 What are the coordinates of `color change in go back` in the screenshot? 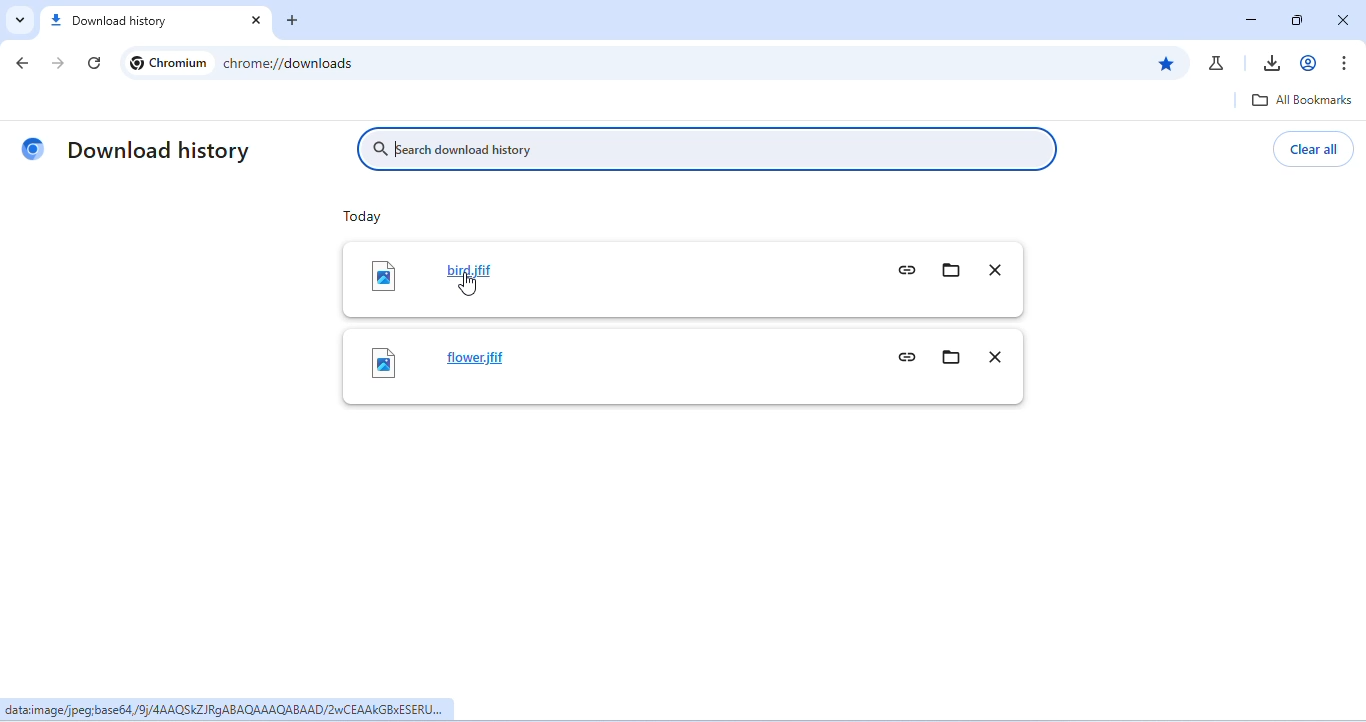 It's located at (25, 63).